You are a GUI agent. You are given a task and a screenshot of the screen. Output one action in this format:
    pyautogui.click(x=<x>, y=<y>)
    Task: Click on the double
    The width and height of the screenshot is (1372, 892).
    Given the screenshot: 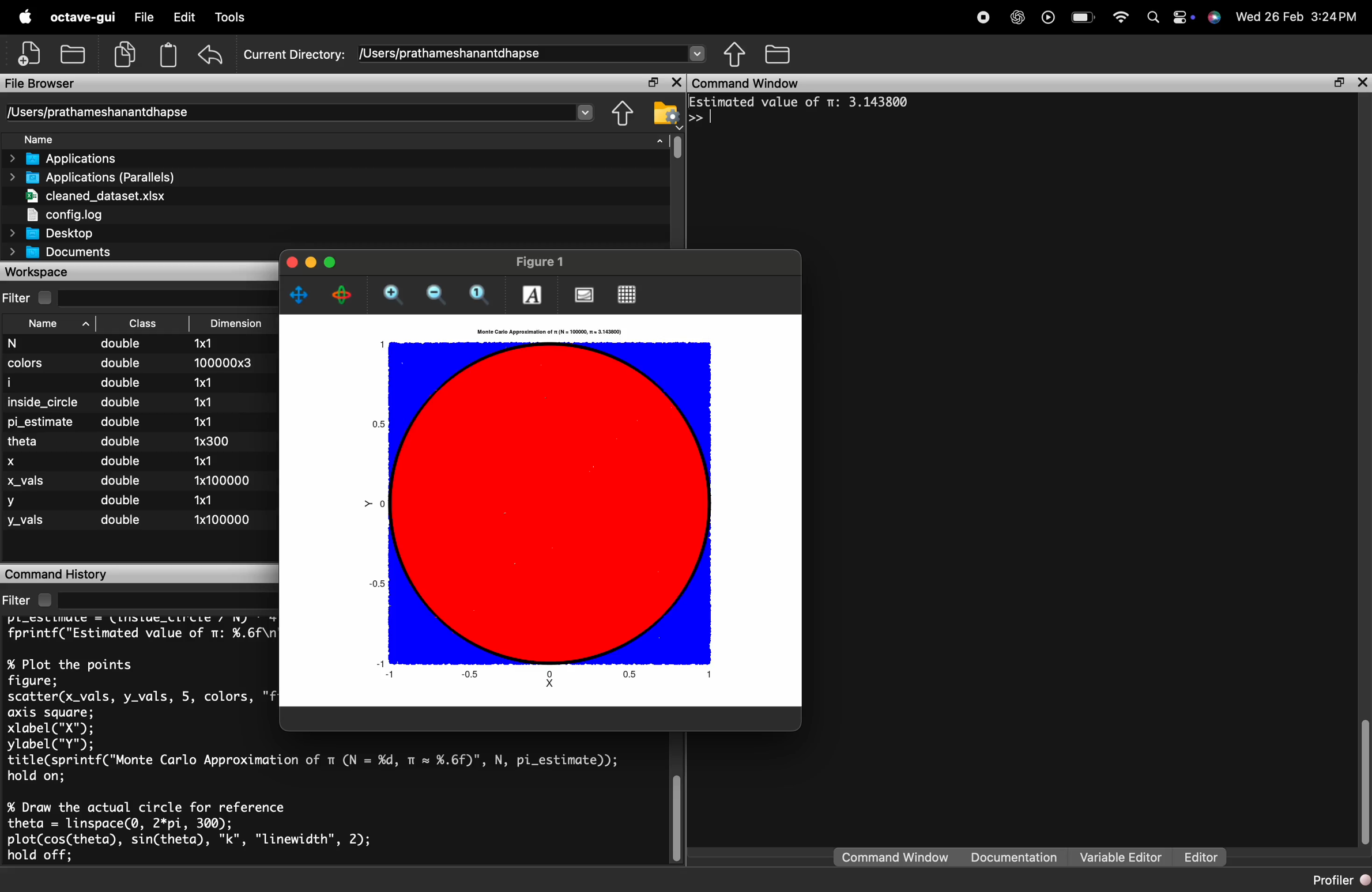 What is the action you would take?
    pyautogui.click(x=121, y=501)
    